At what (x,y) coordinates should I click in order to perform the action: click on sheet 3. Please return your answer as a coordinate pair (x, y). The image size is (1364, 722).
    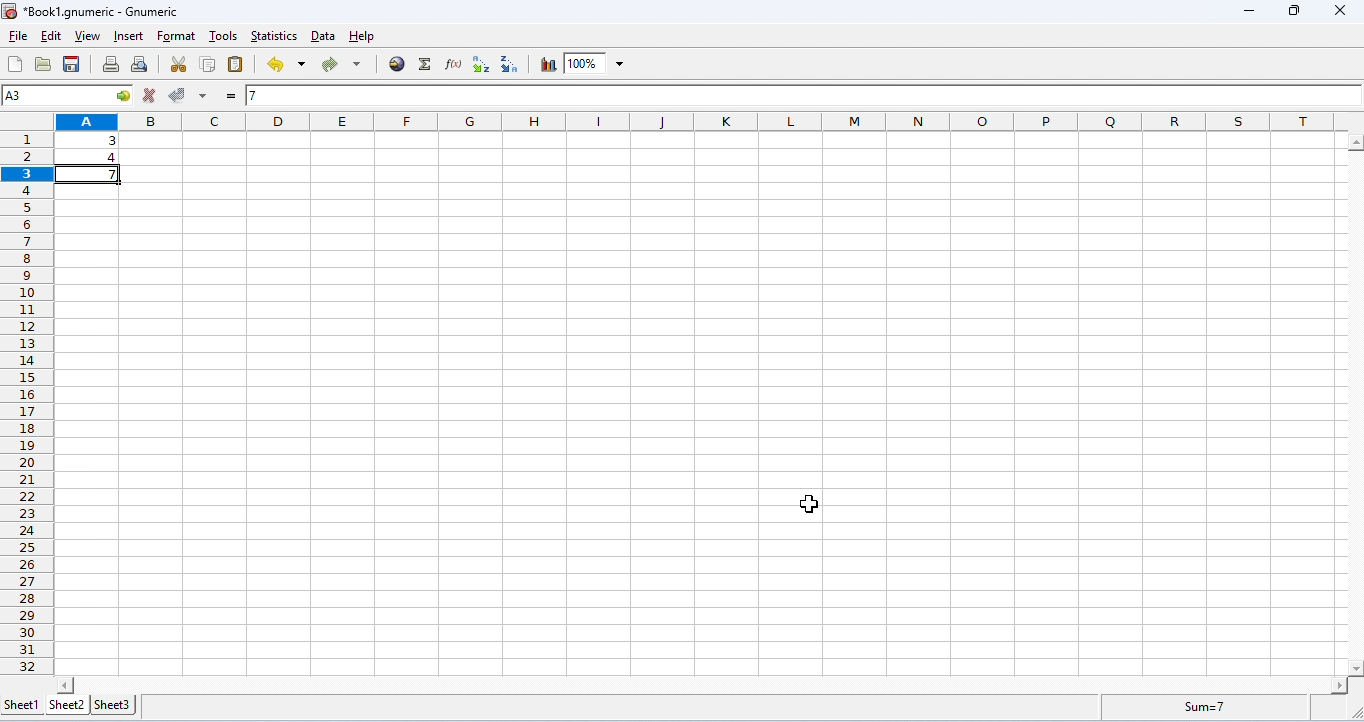
    Looking at the image, I should click on (113, 705).